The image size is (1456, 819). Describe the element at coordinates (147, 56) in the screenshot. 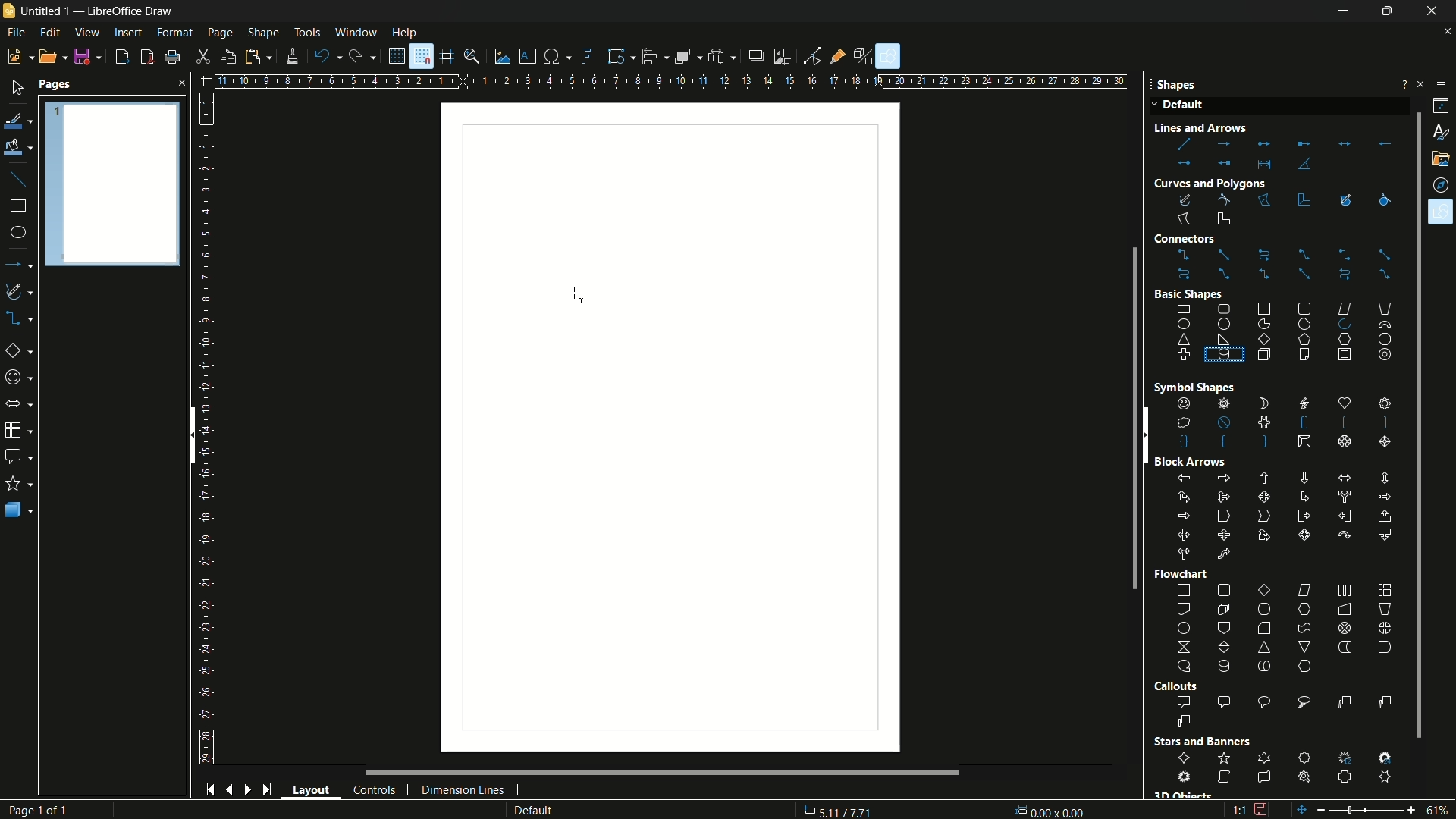

I see `export directly as pdf` at that location.